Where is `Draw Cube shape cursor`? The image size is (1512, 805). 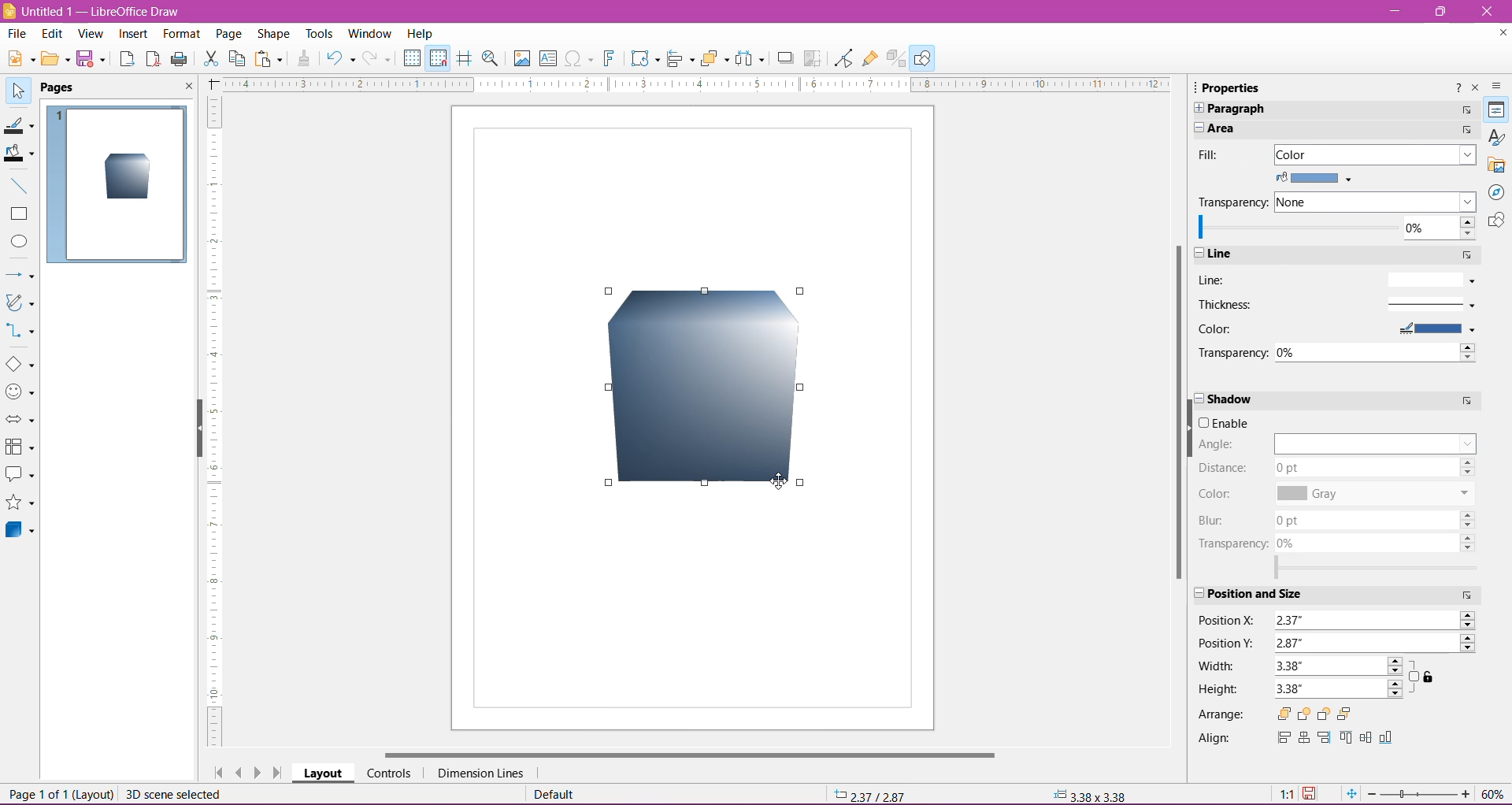 Draw Cube shape cursor is located at coordinates (610, 293).